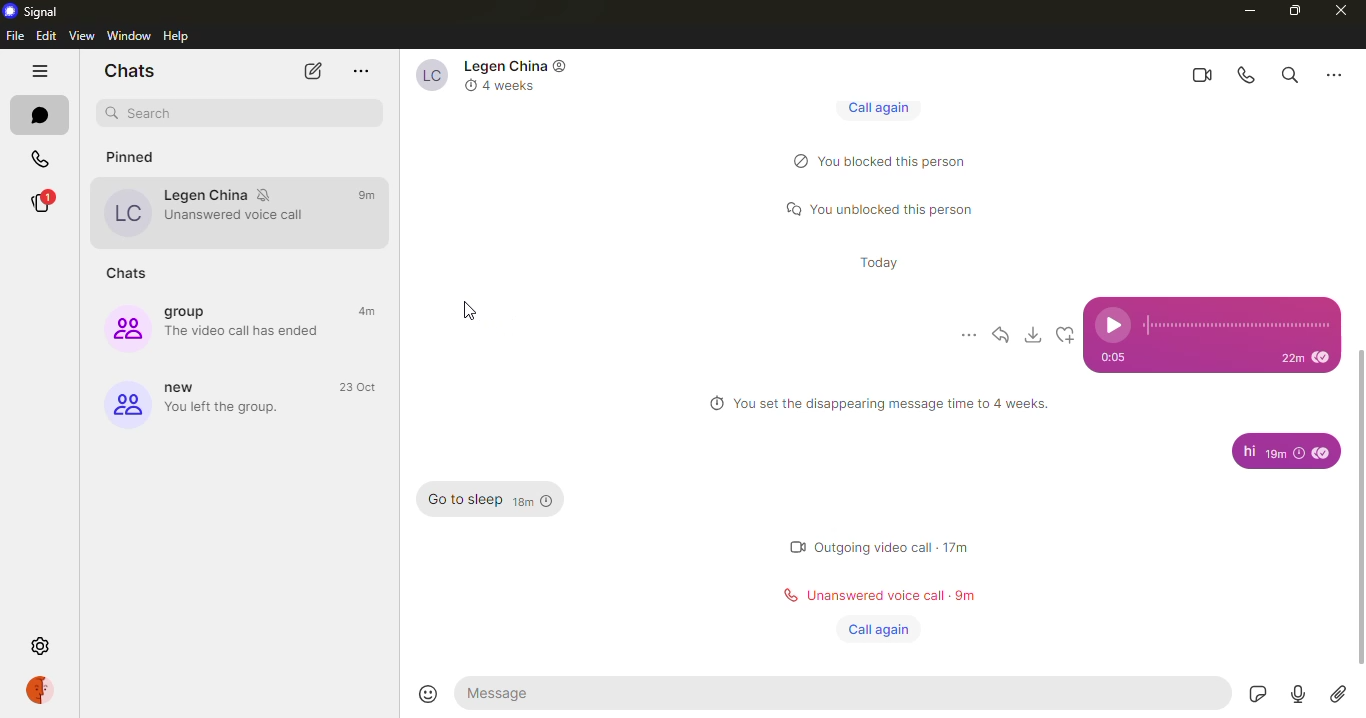  What do you see at coordinates (883, 262) in the screenshot?
I see `time` at bounding box center [883, 262].